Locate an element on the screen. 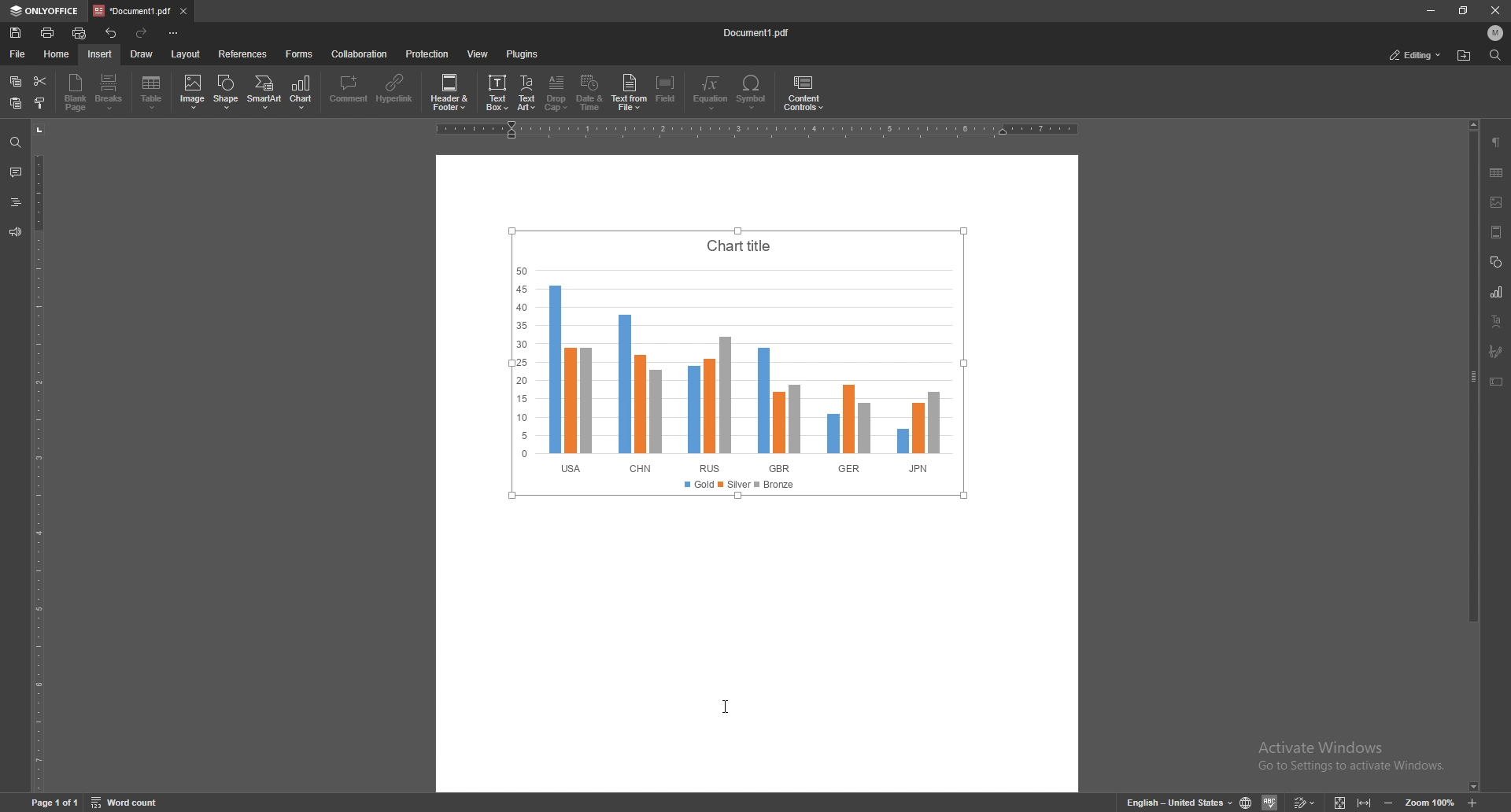 The width and height of the screenshot is (1511, 812). forms is located at coordinates (301, 55).